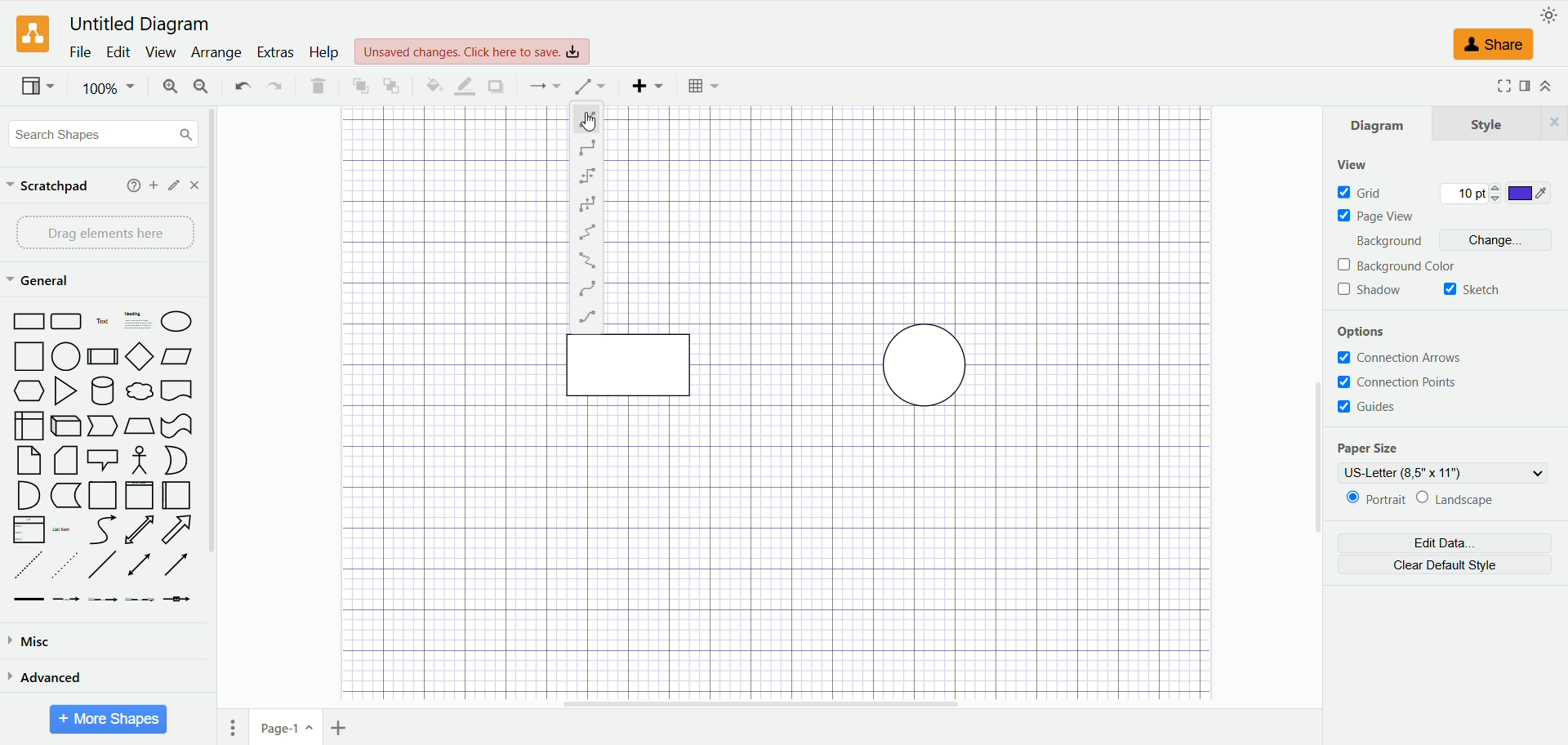  What do you see at coordinates (1500, 87) in the screenshot?
I see `Fullscreen` at bounding box center [1500, 87].